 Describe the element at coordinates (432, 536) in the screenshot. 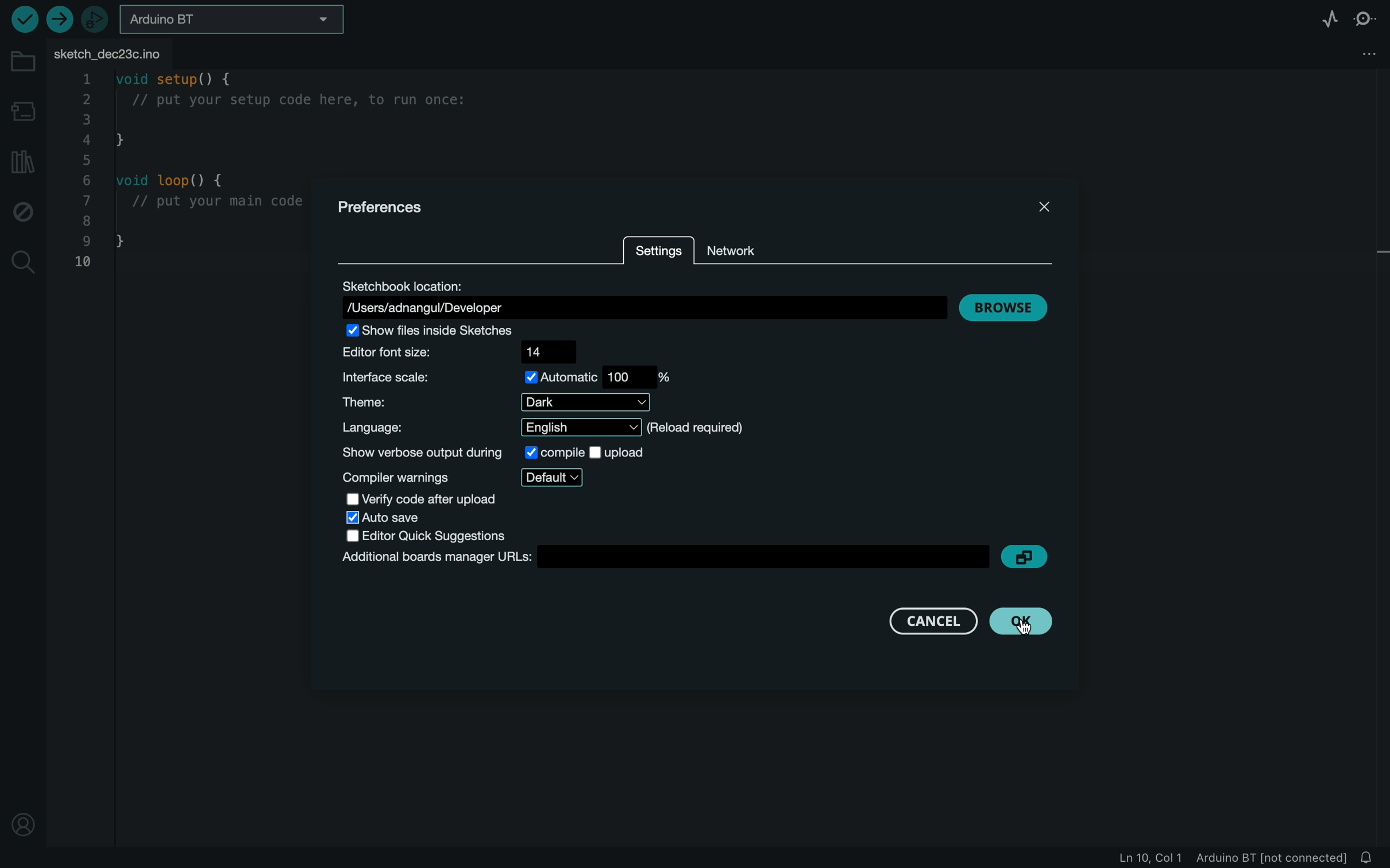

I see `editor` at that location.